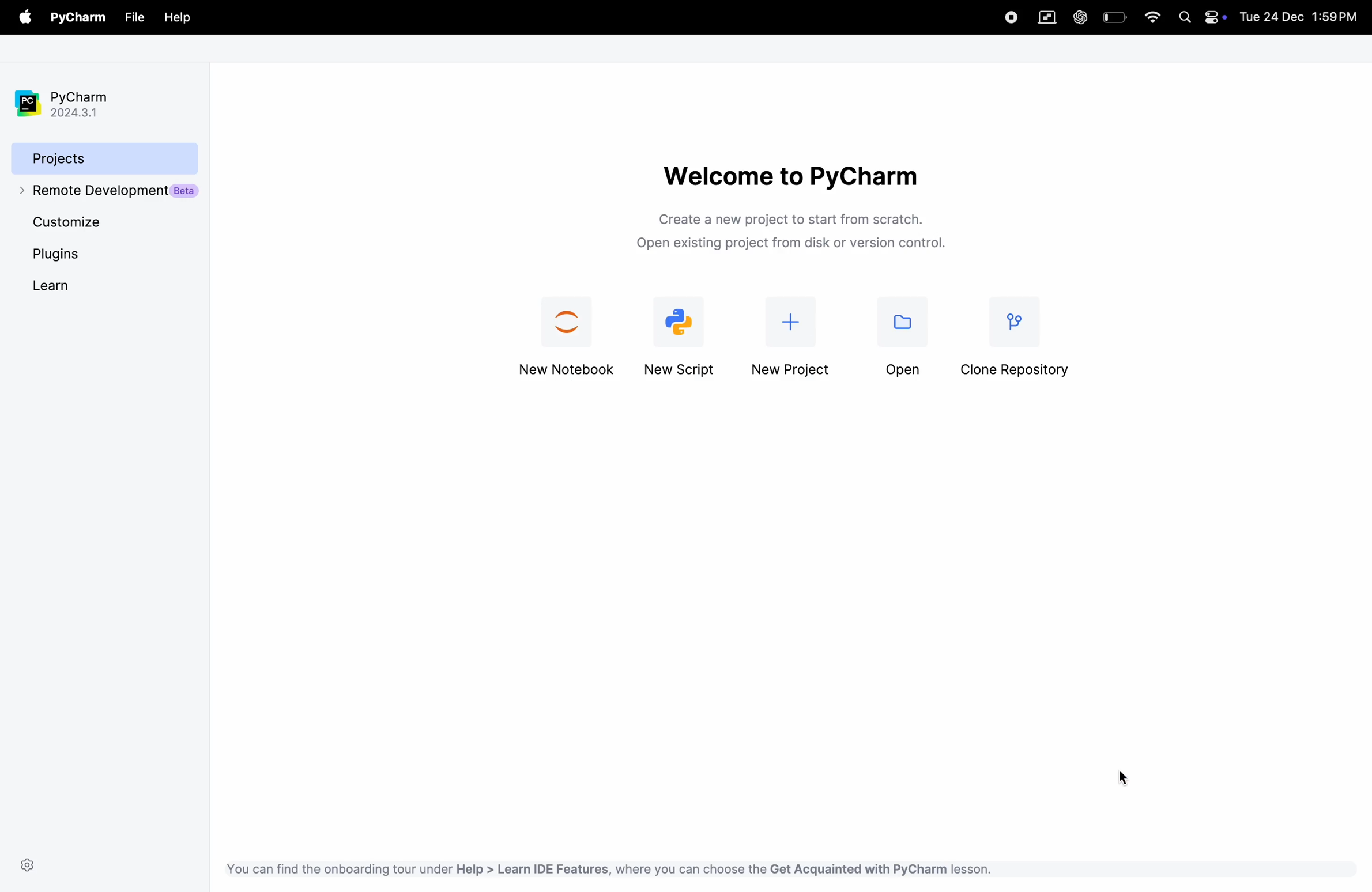  Describe the element at coordinates (1152, 19) in the screenshot. I see `wifi` at that location.